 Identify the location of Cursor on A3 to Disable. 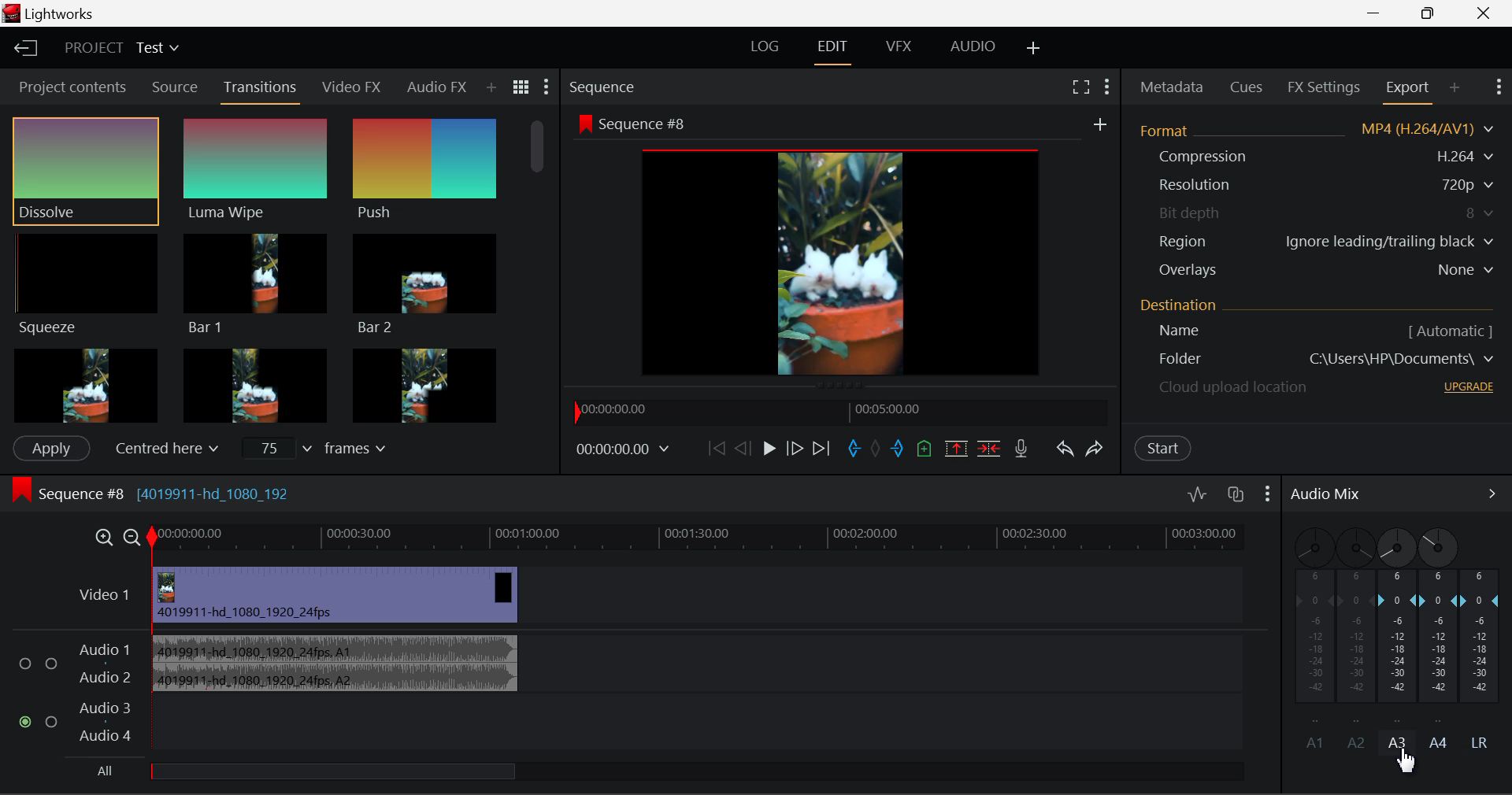
(1398, 741).